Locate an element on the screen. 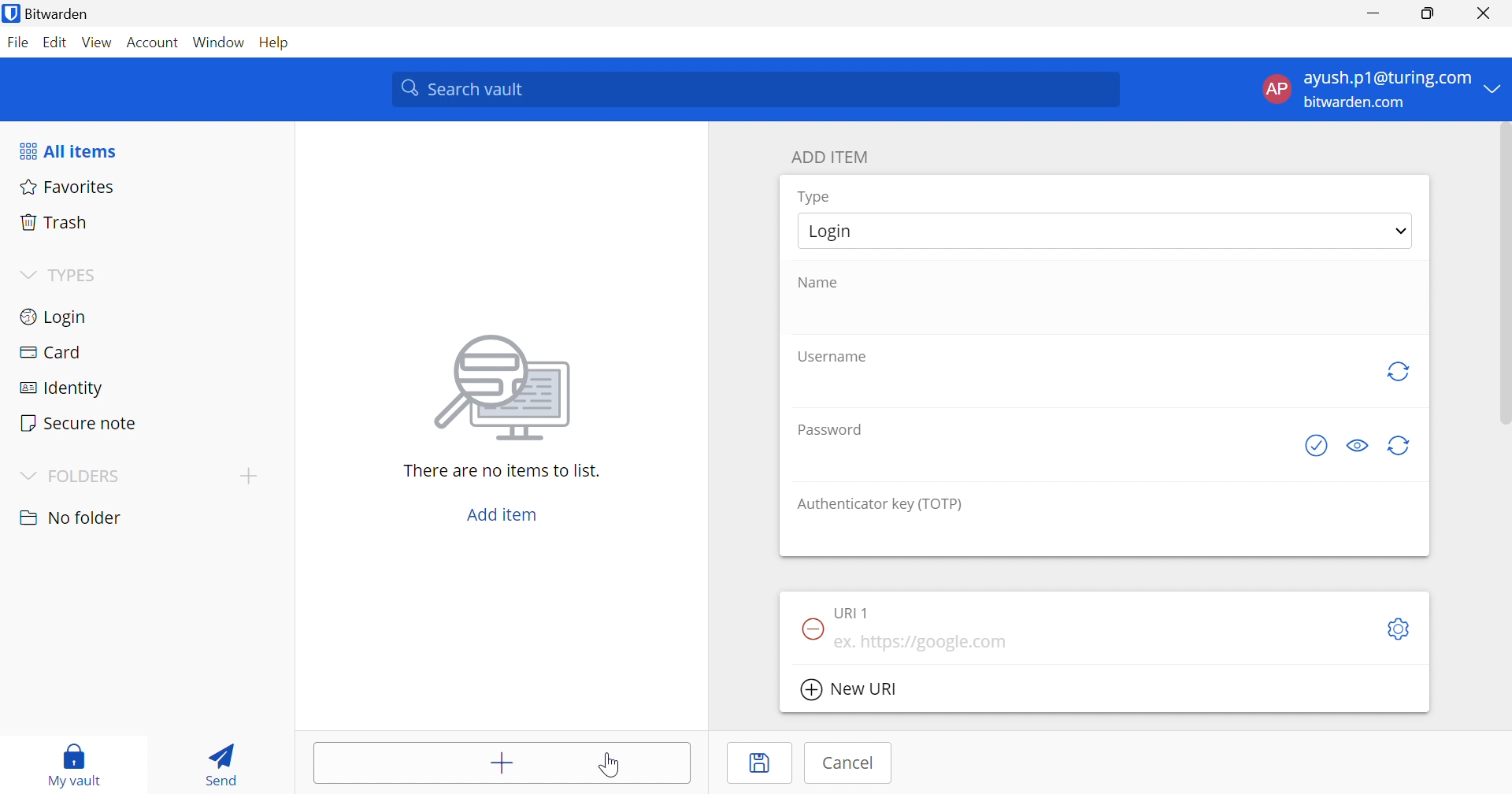 This screenshot has height=794, width=1512. Type is located at coordinates (819, 196).